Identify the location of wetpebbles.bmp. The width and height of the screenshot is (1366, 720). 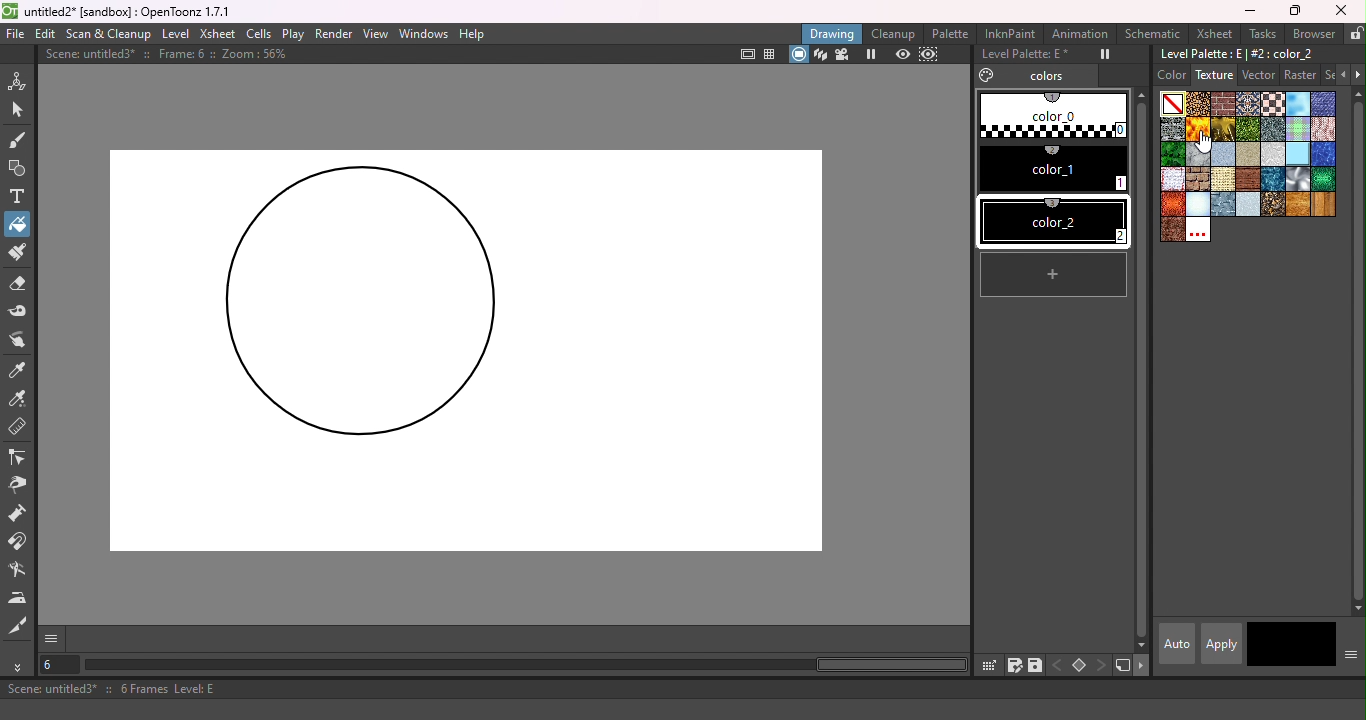
(1274, 204).